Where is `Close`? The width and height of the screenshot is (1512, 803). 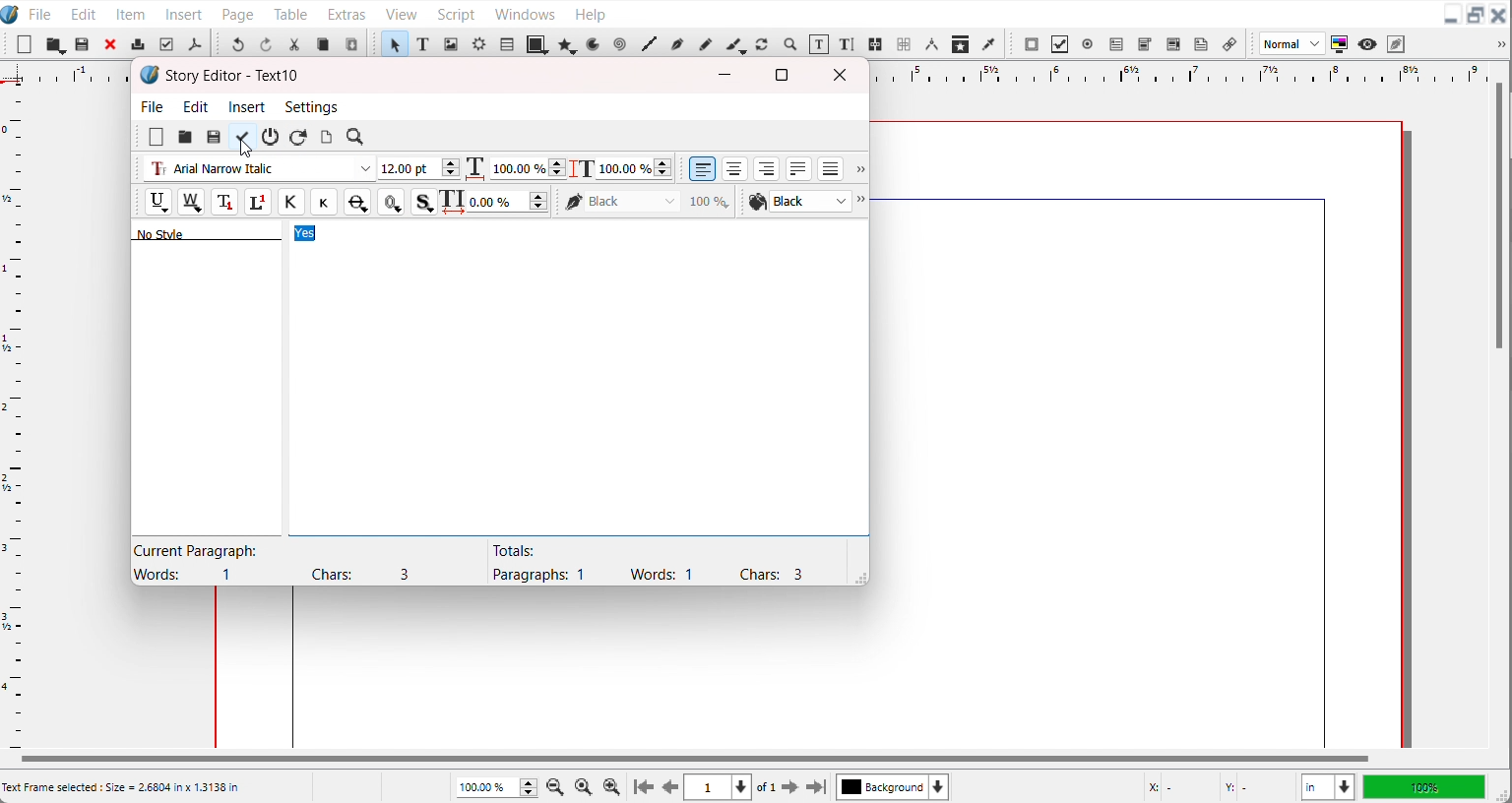 Close is located at coordinates (844, 75).